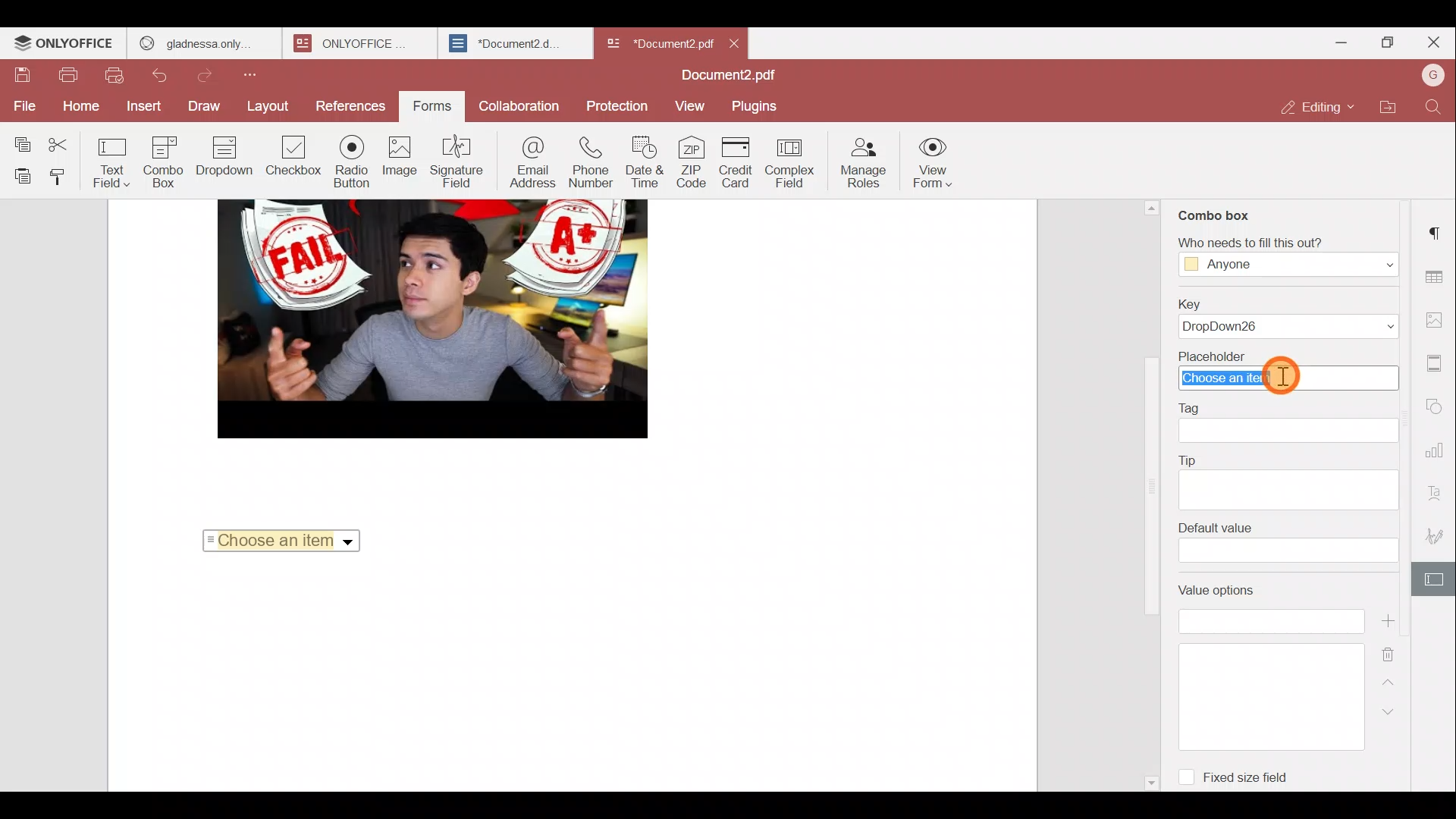 The height and width of the screenshot is (819, 1456). Describe the element at coordinates (22, 141) in the screenshot. I see `Copy` at that location.